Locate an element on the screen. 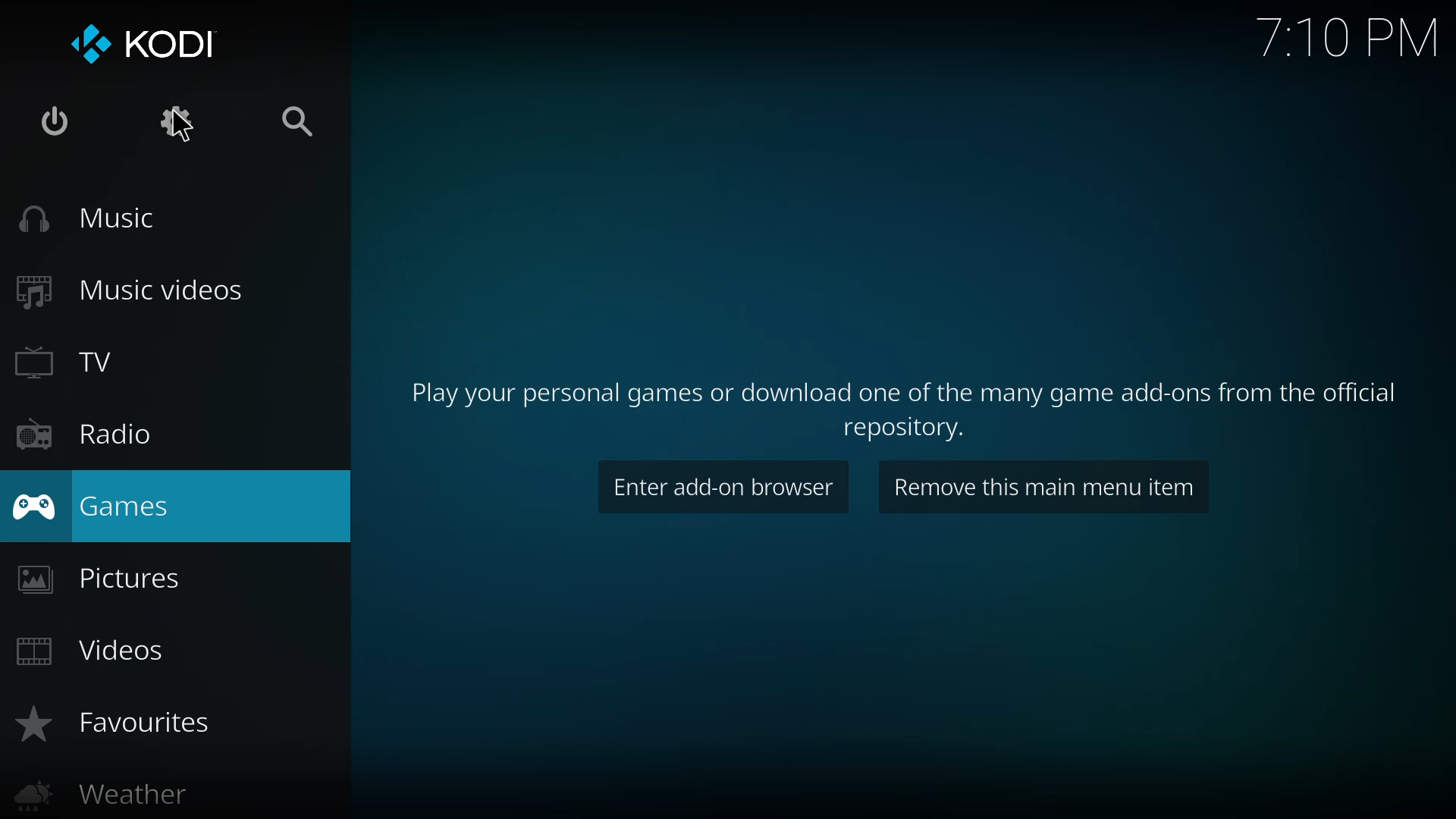 Image resolution: width=1456 pixels, height=819 pixels. favorites is located at coordinates (110, 721).